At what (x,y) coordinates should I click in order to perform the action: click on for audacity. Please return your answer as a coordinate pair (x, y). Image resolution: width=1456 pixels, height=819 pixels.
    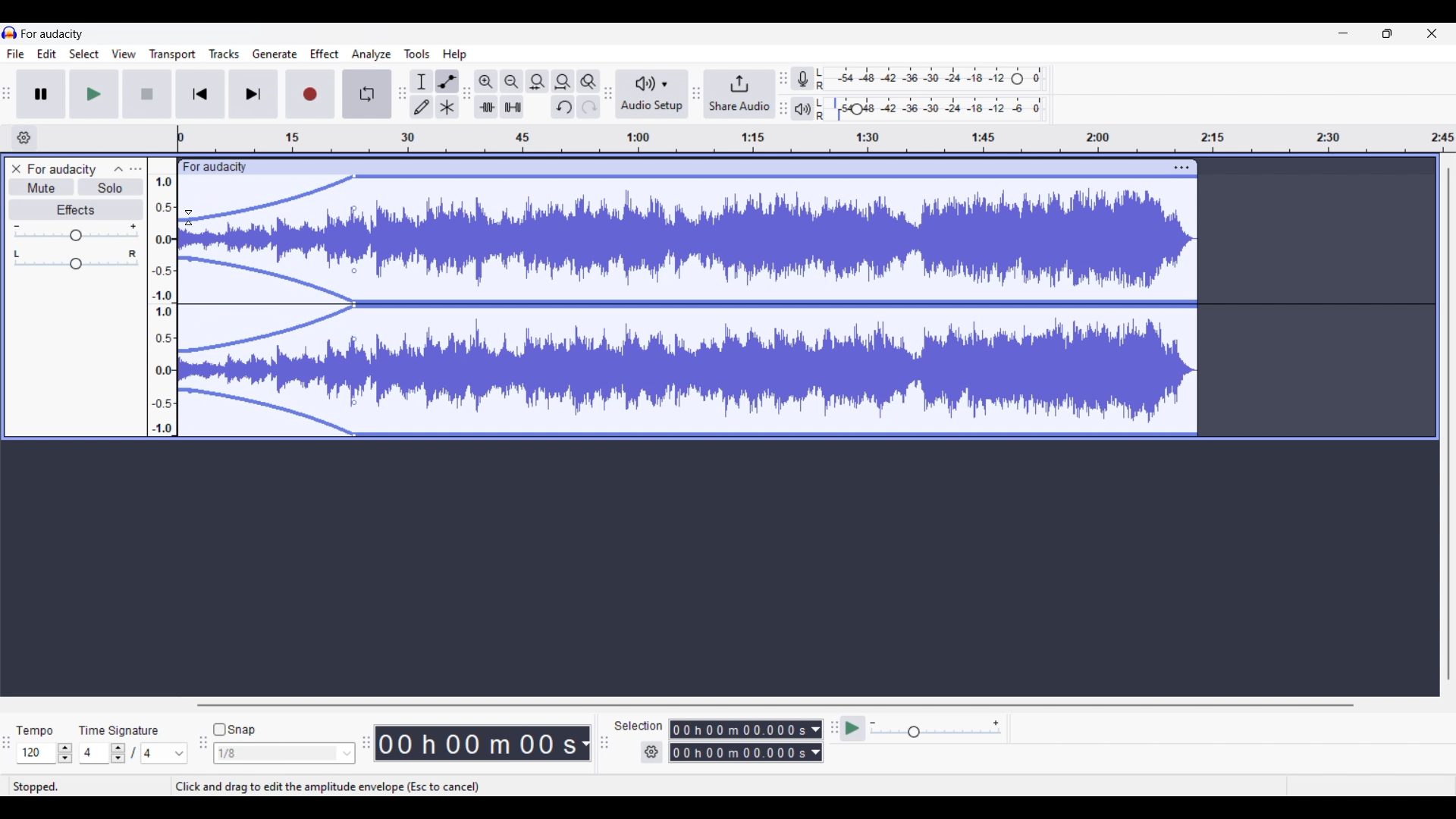
    Looking at the image, I should click on (53, 34).